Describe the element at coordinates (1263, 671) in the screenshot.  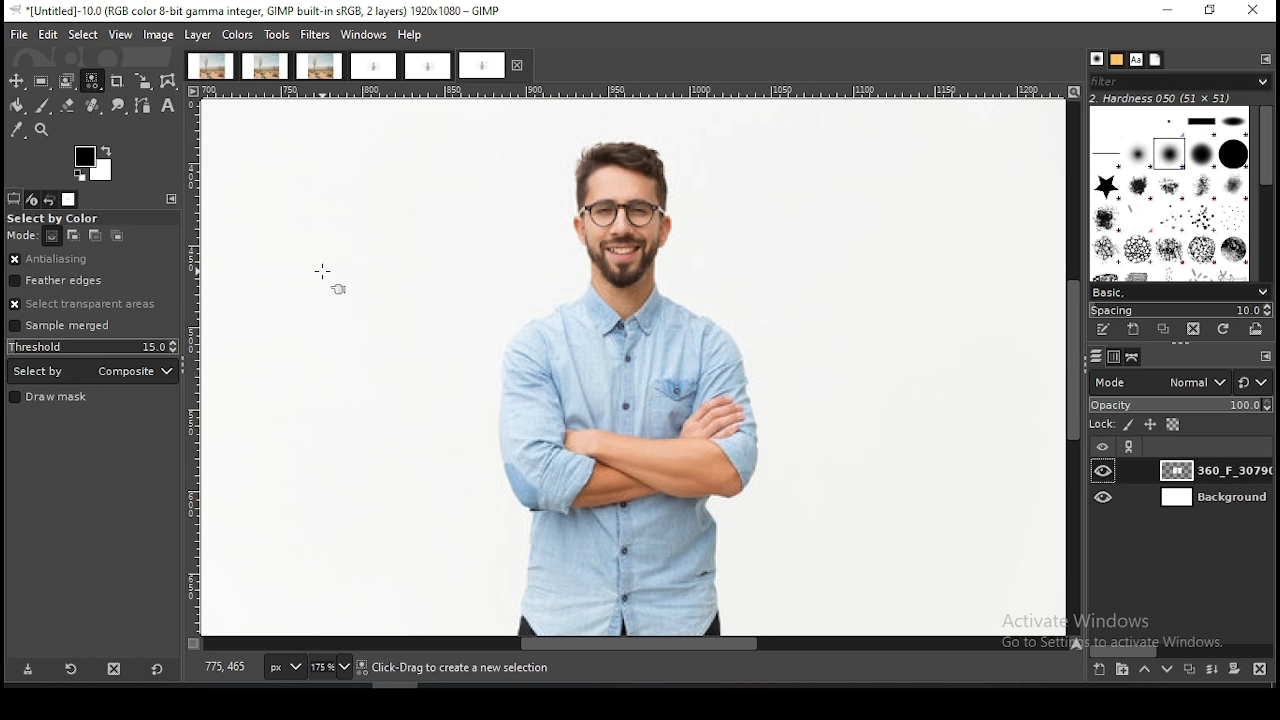
I see `delete layer` at that location.